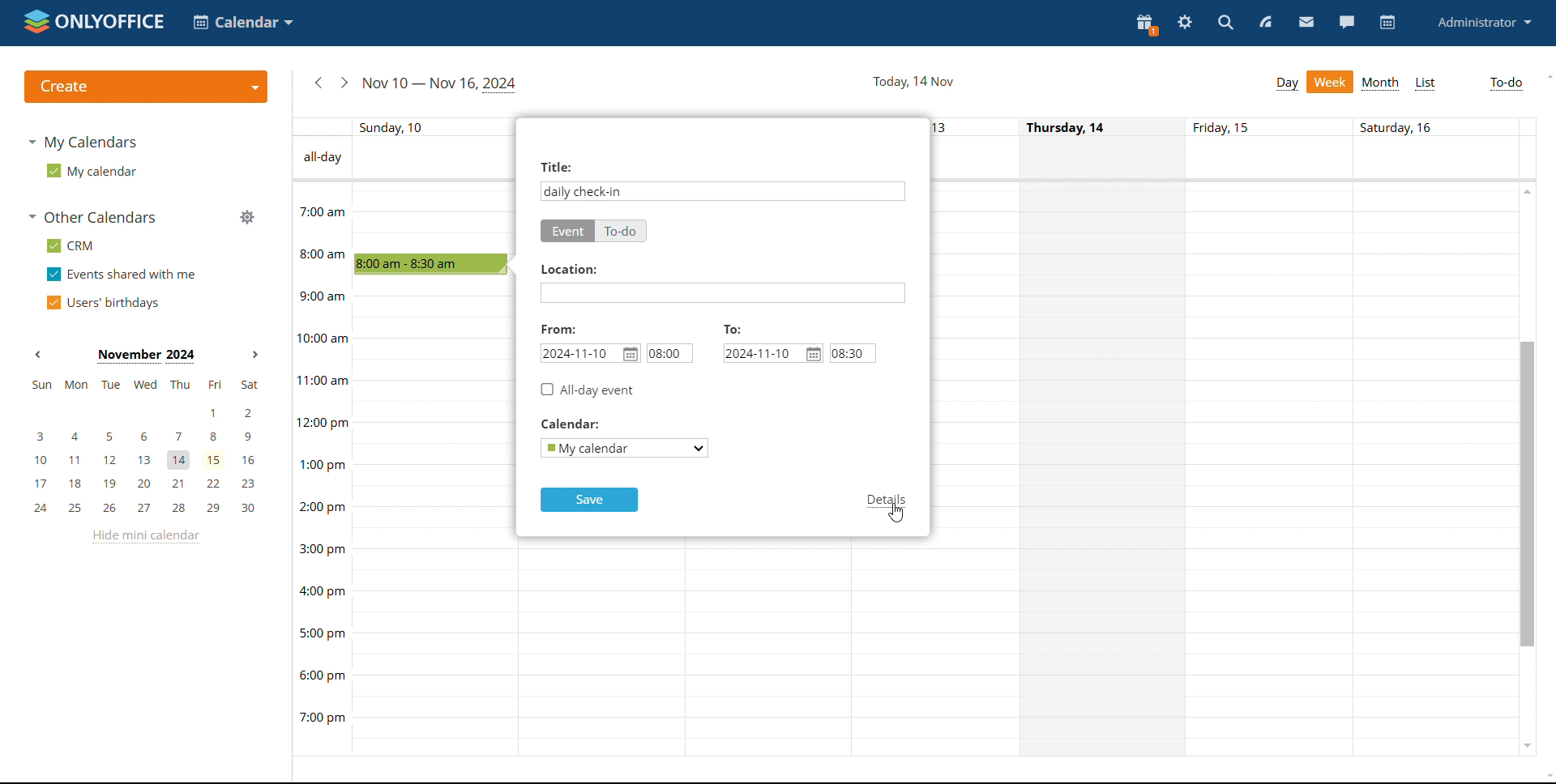  Describe the element at coordinates (316, 437) in the screenshot. I see `time of the day` at that location.